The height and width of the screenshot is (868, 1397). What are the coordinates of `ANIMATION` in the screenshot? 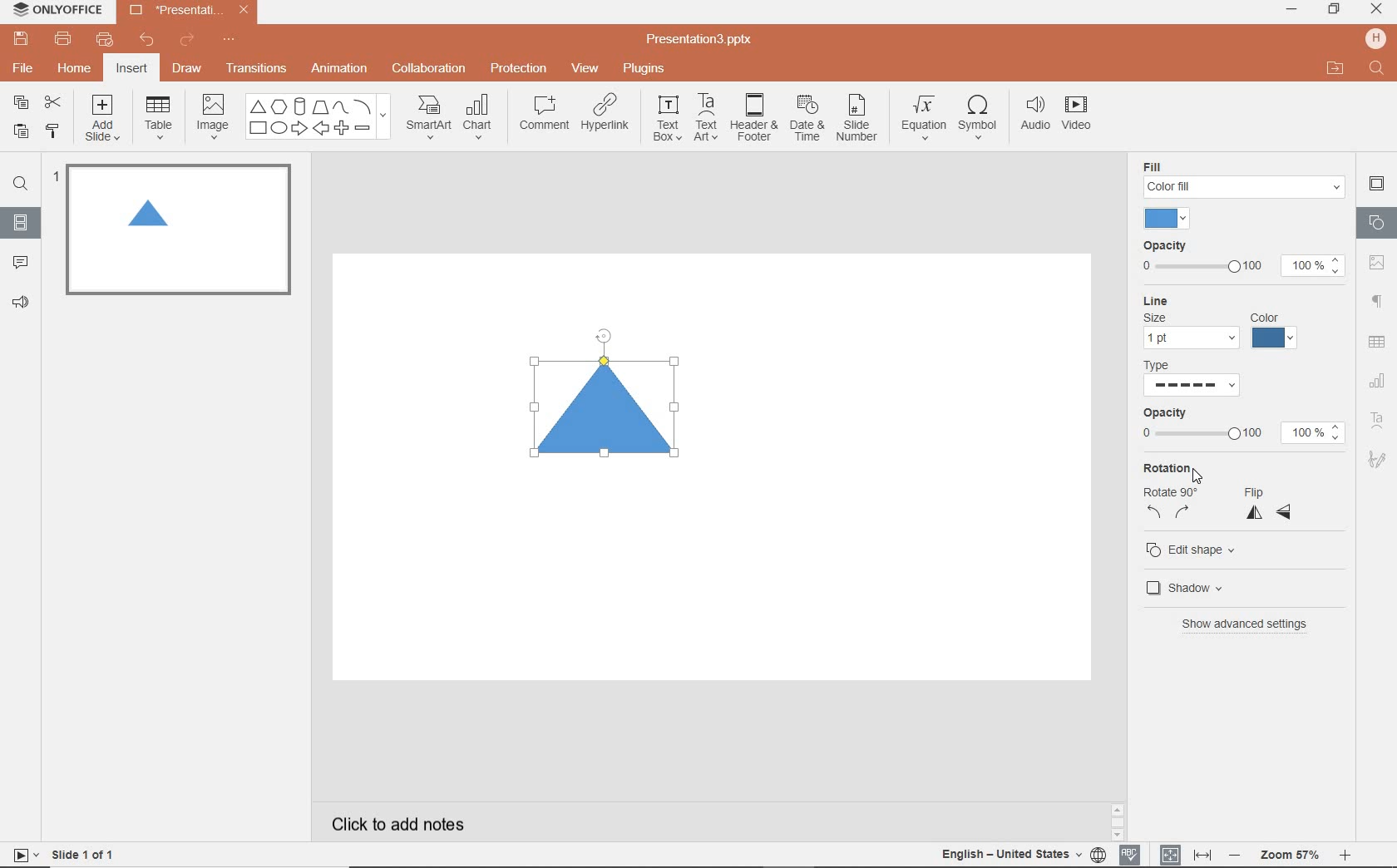 It's located at (338, 70).